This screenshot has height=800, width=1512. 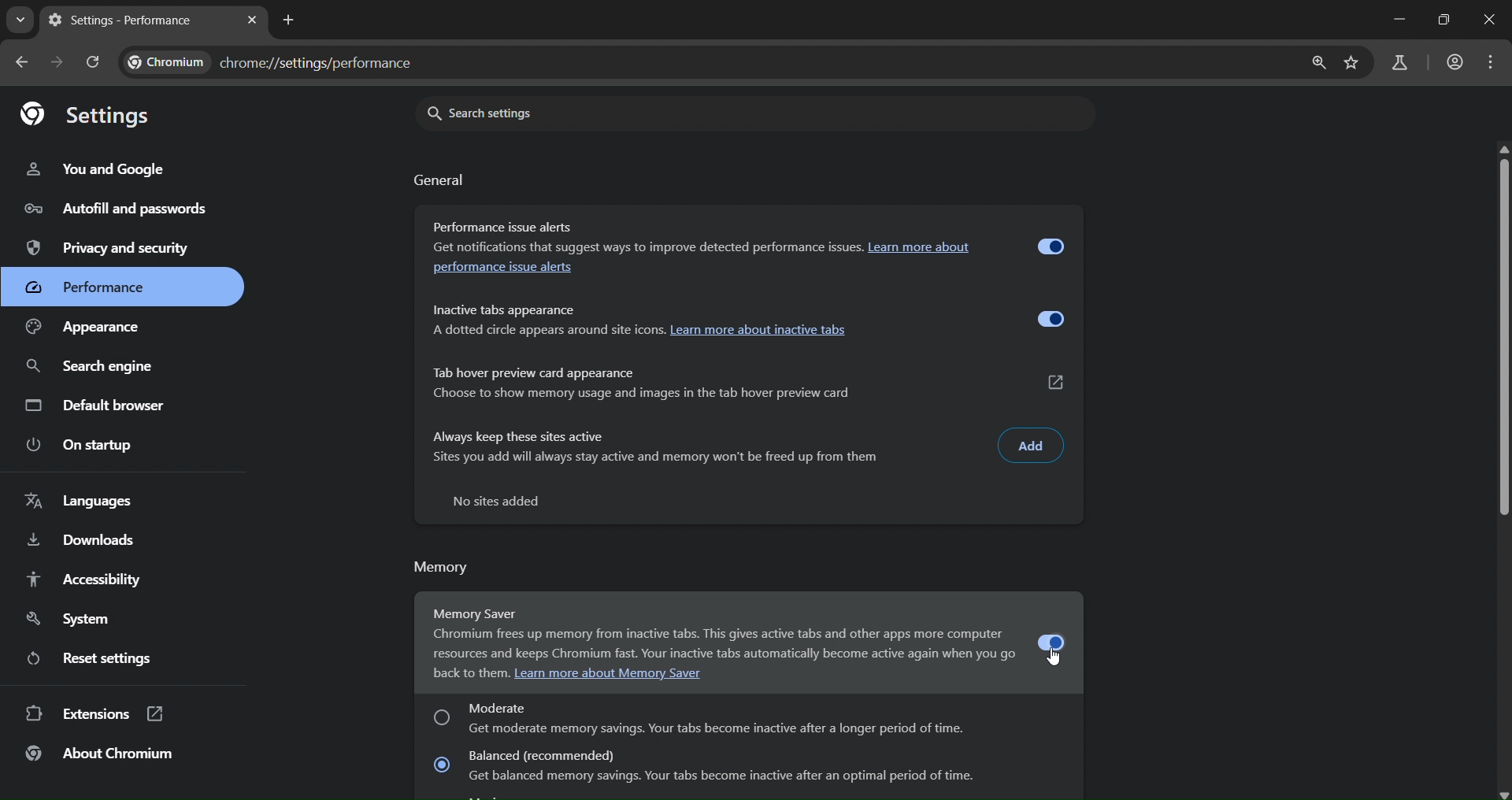 What do you see at coordinates (1034, 445) in the screenshot?
I see `add` at bounding box center [1034, 445].